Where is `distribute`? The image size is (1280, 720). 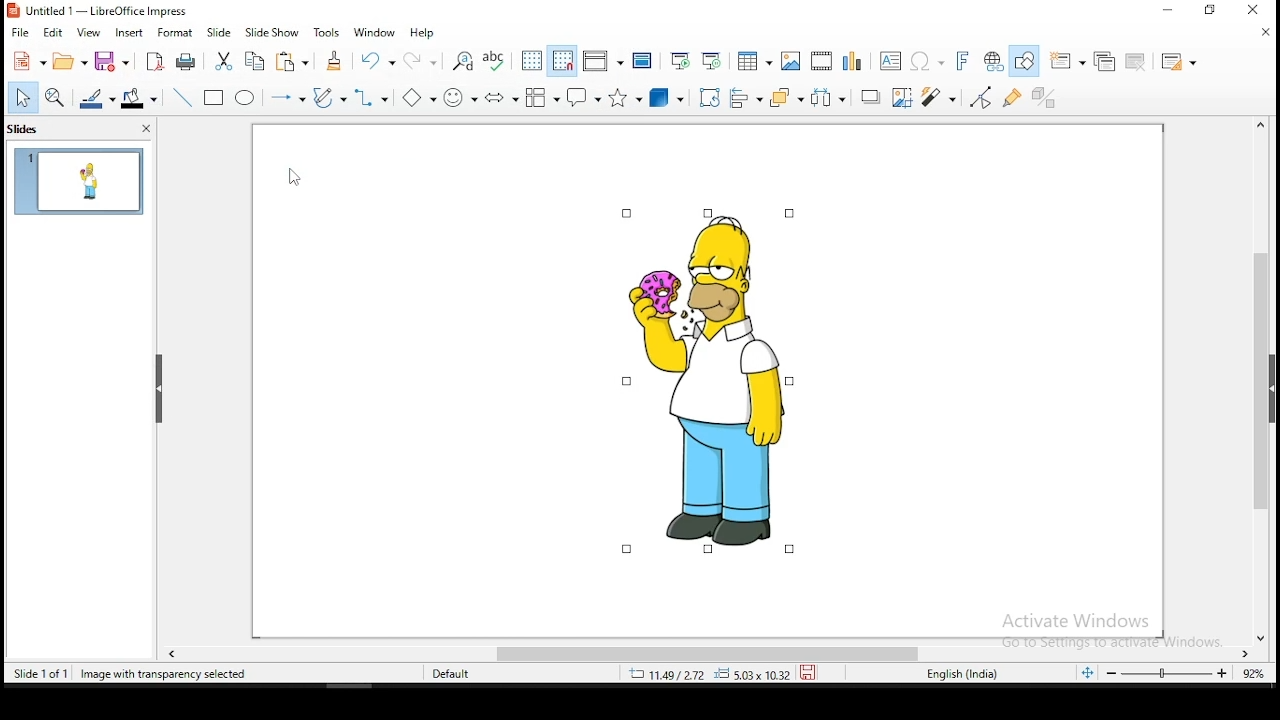 distribute is located at coordinates (828, 98).